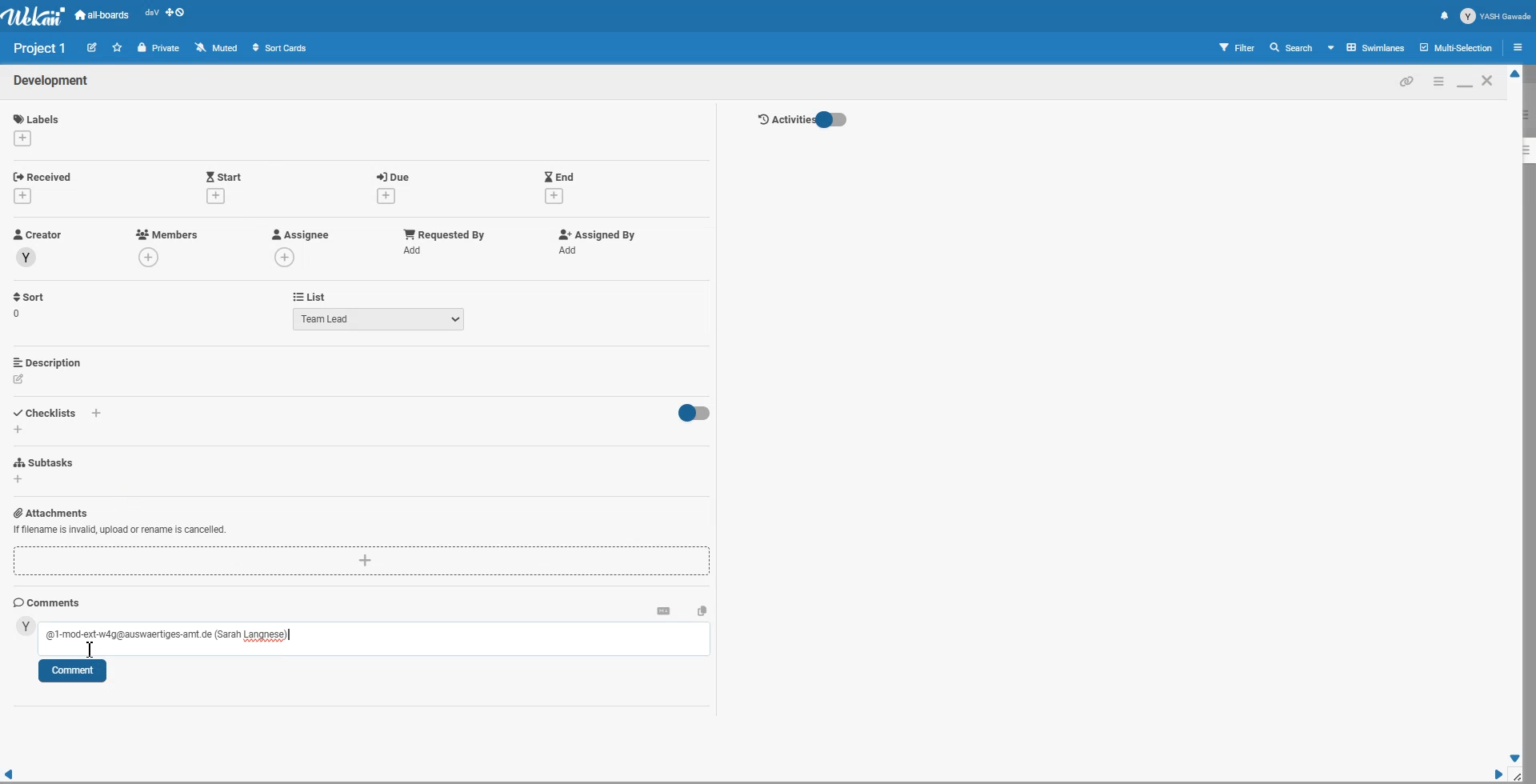 Image resolution: width=1536 pixels, height=784 pixels. Describe the element at coordinates (102, 15) in the screenshot. I see `all-boards` at that location.